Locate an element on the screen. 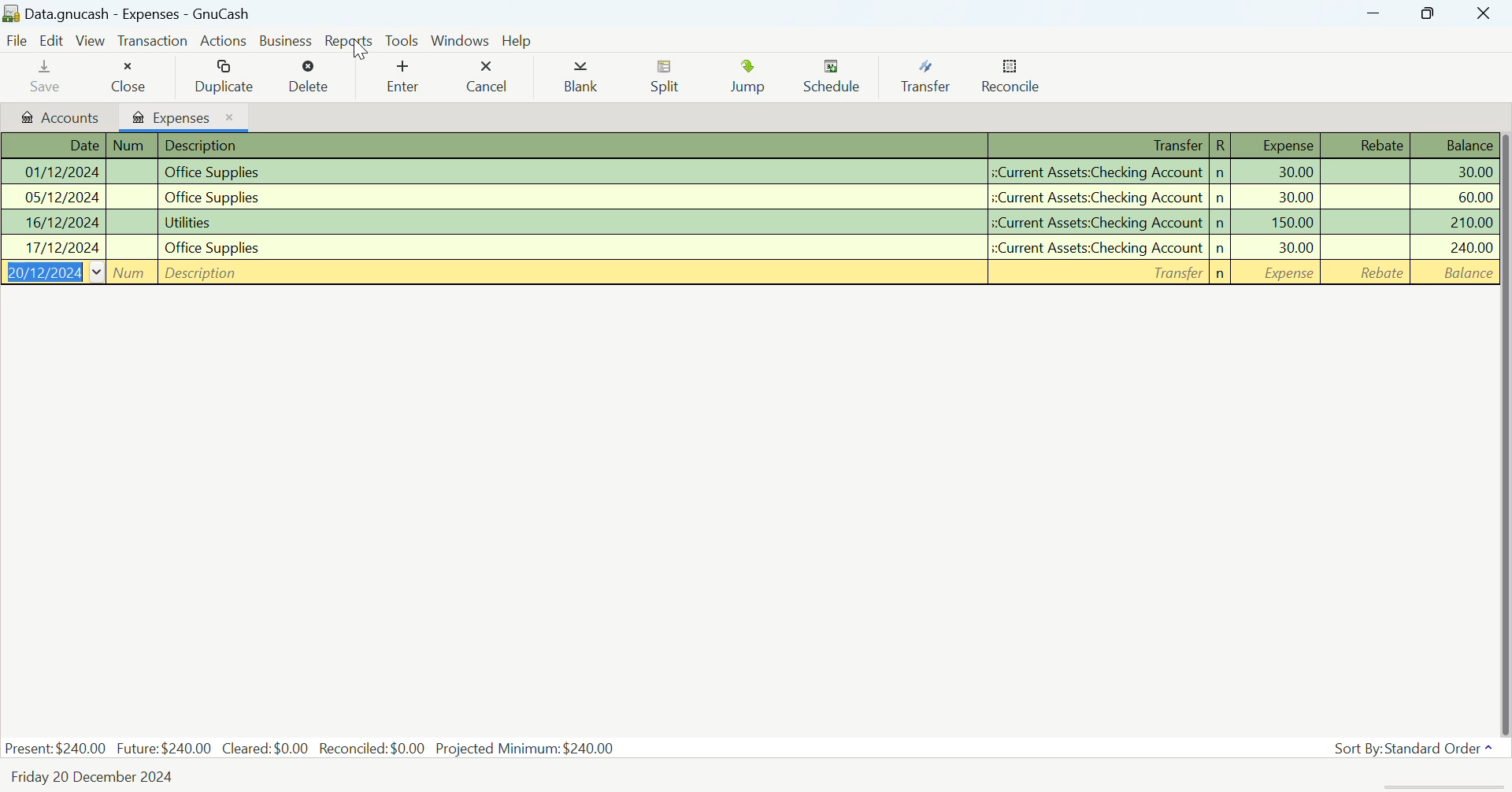 The image size is (1512, 792). Delete is located at coordinates (311, 76).